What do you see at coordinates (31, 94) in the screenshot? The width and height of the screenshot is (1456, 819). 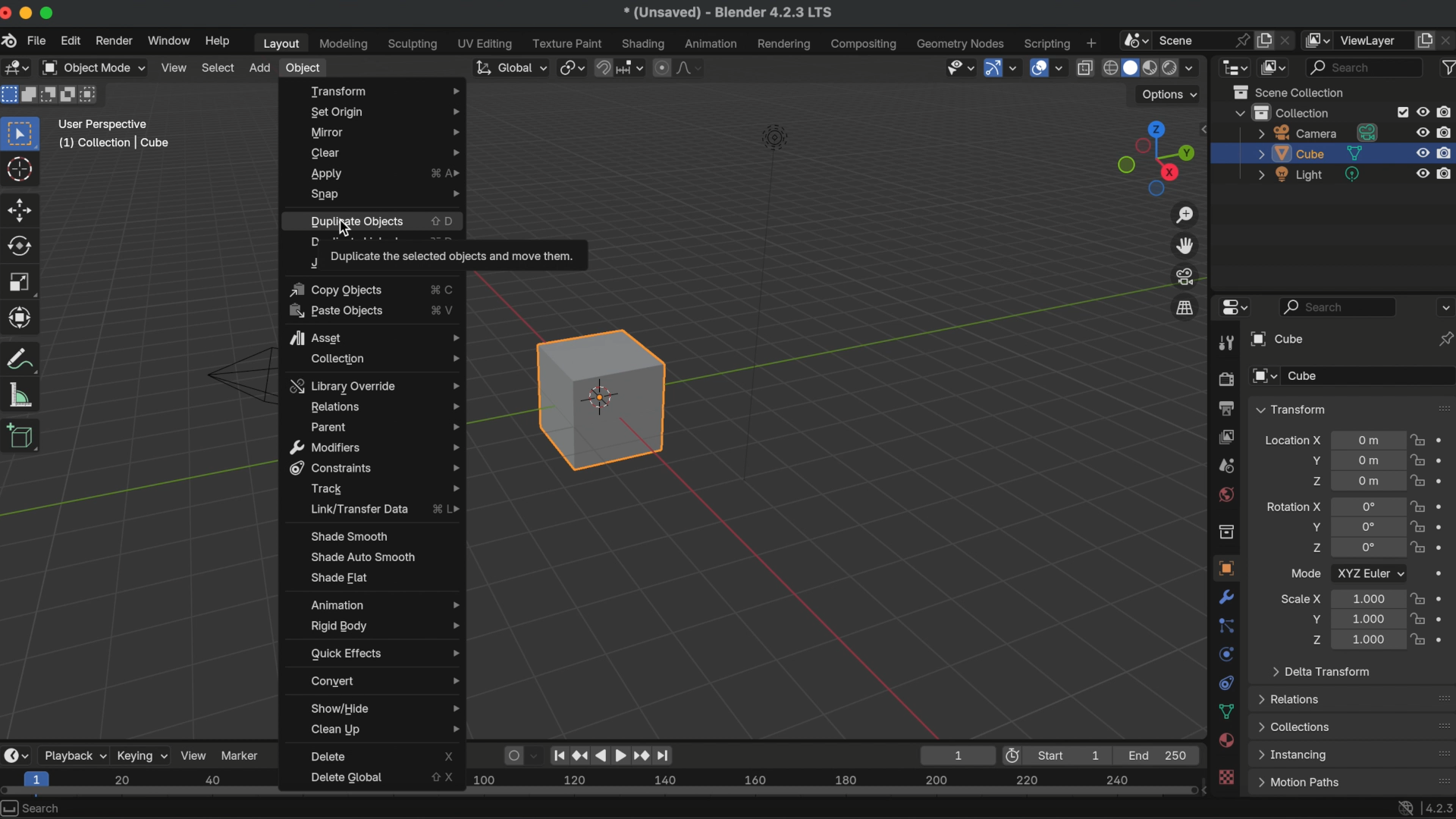 I see `mode extend existing condition` at bounding box center [31, 94].